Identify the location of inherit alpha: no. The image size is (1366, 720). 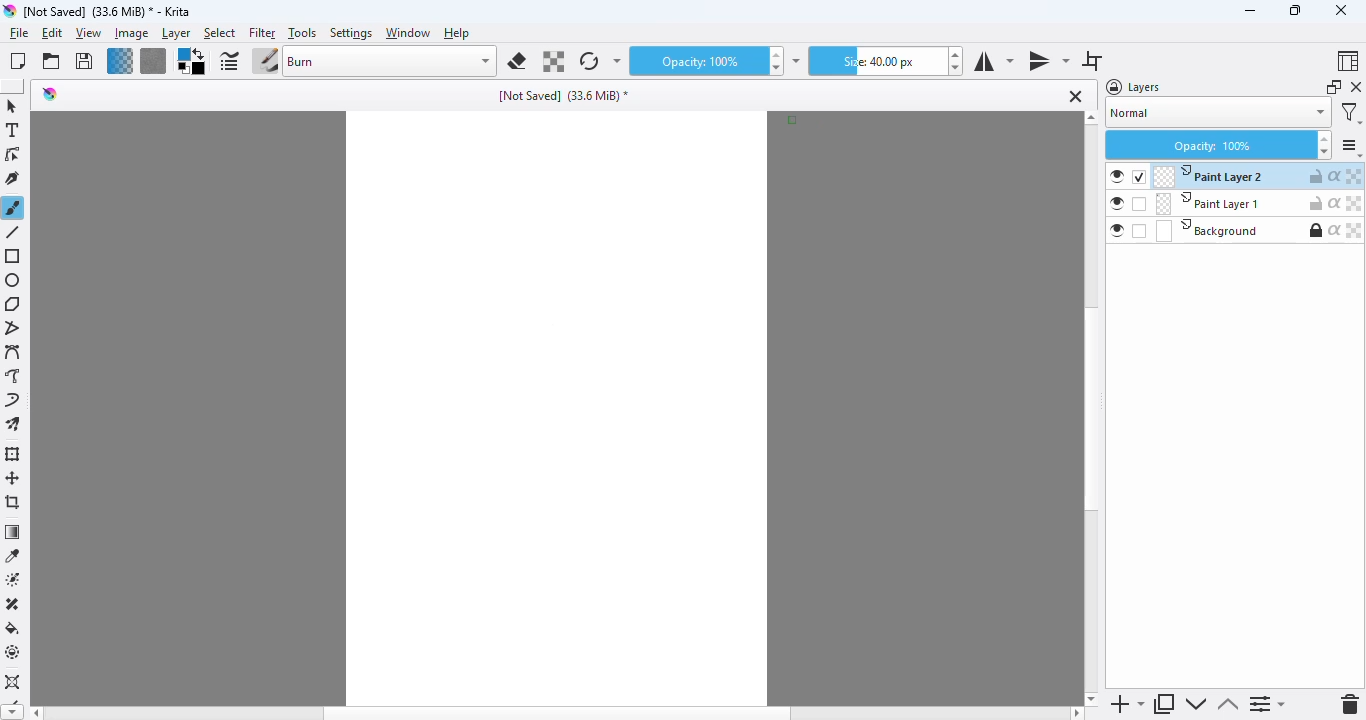
(1335, 175).